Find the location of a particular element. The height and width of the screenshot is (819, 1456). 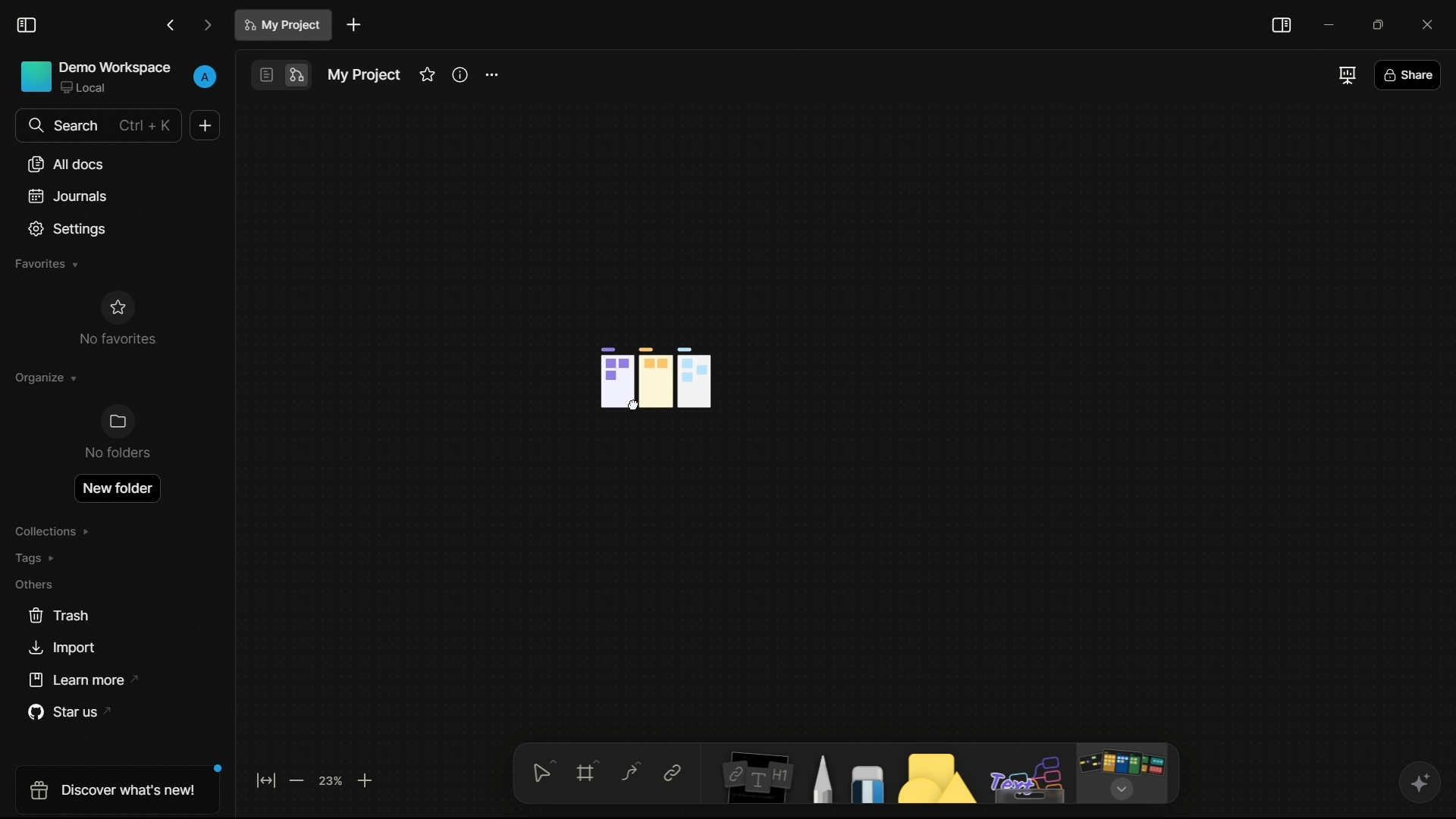

back is located at coordinates (171, 26).